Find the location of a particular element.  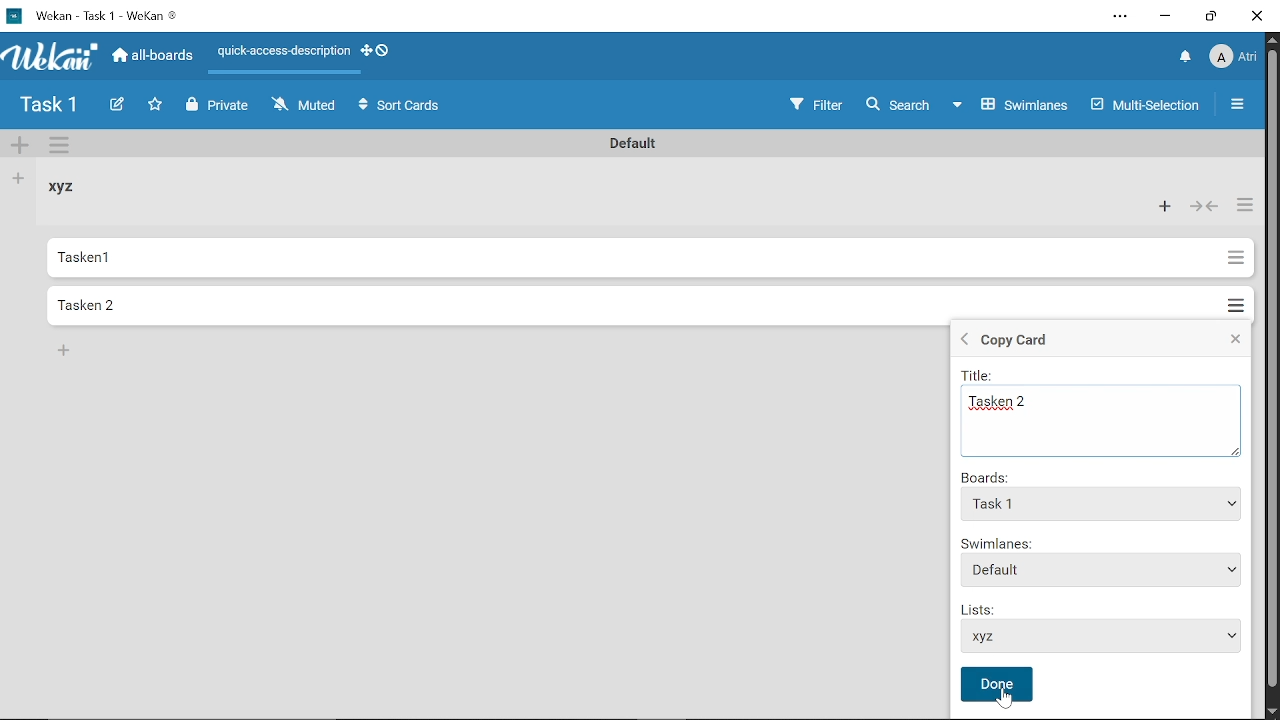

Scroller is located at coordinates (1272, 376).